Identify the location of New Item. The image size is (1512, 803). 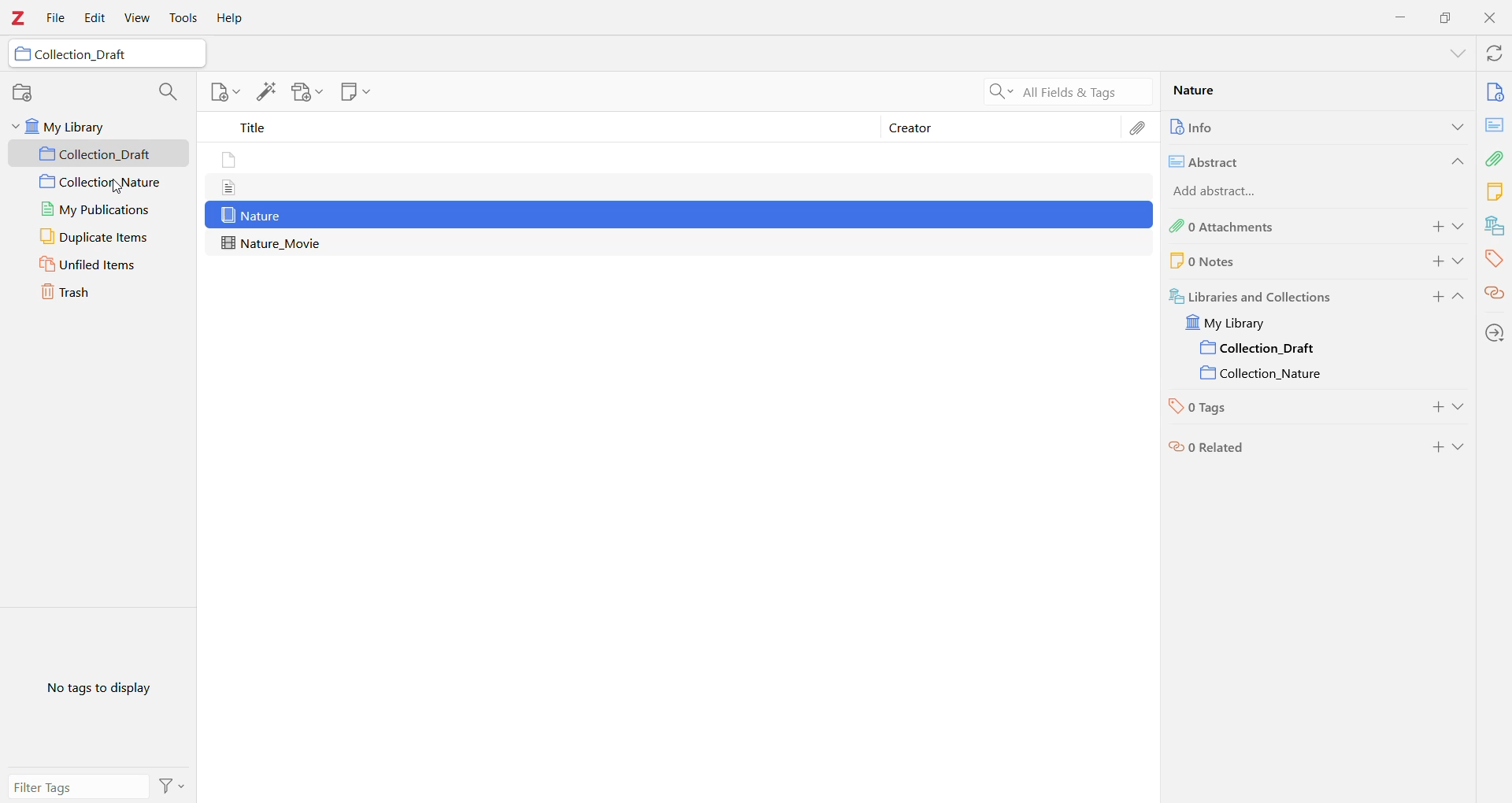
(224, 94).